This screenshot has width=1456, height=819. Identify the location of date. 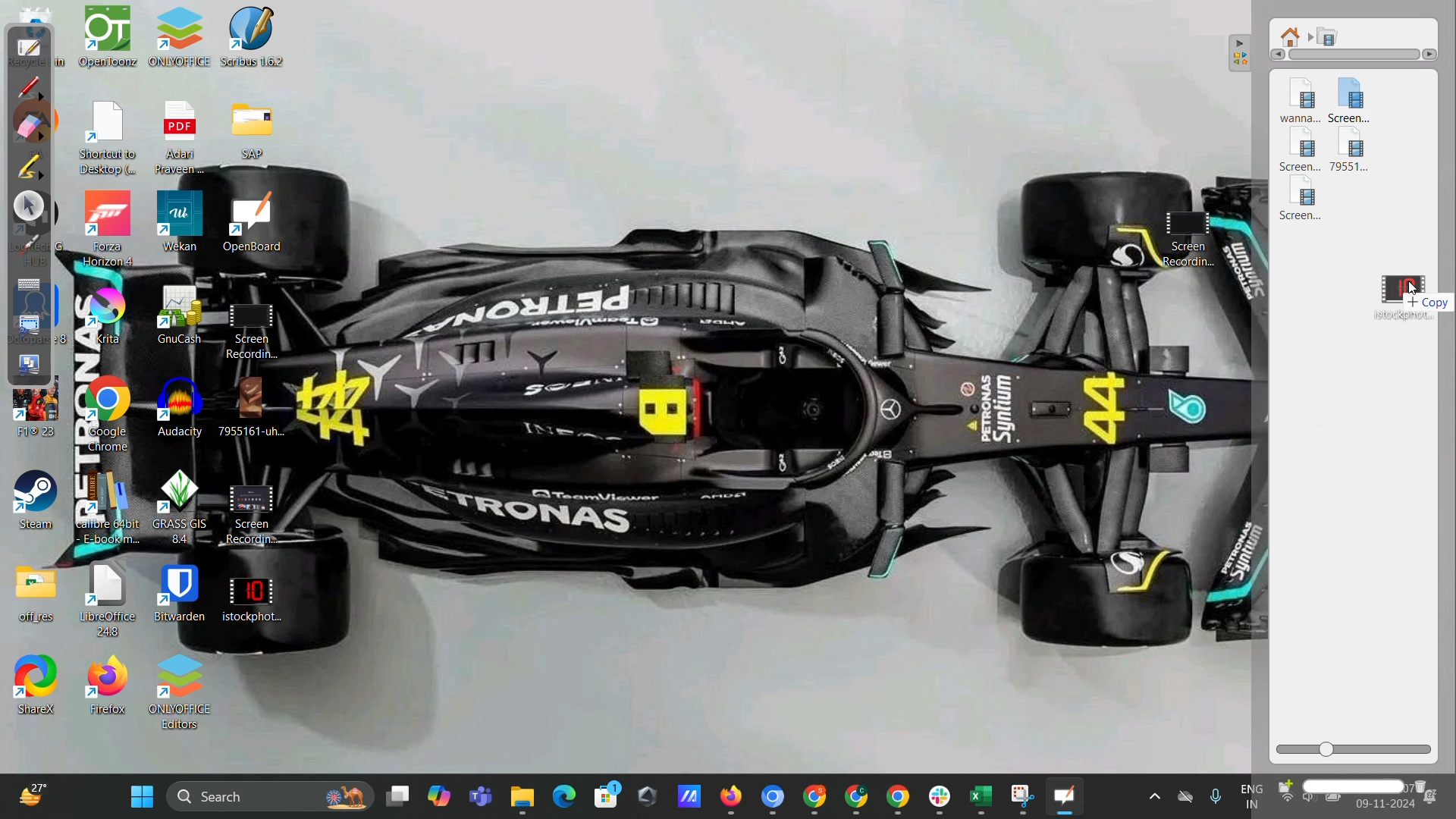
(1363, 808).